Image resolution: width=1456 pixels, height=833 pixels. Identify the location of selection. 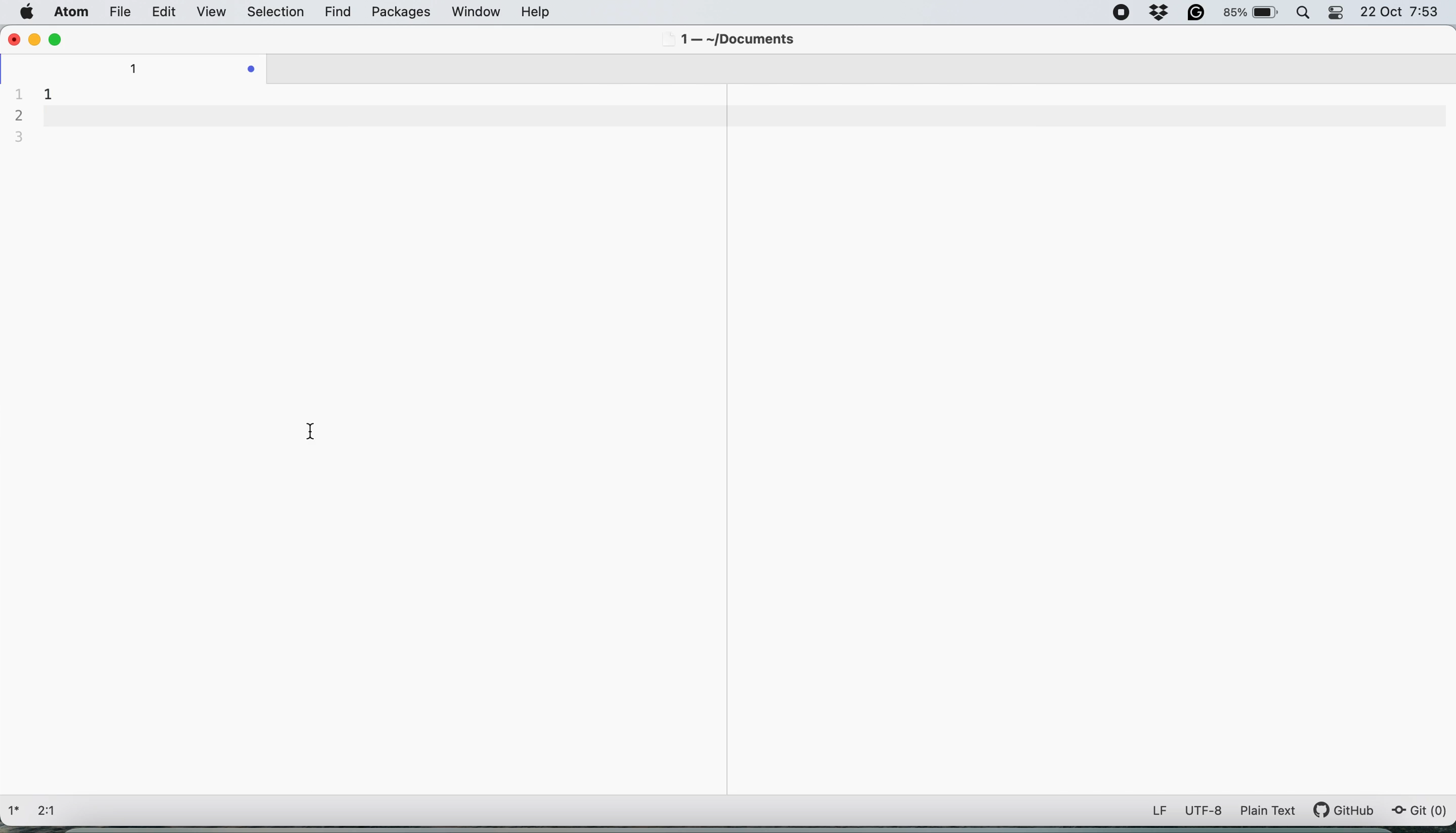
(276, 13).